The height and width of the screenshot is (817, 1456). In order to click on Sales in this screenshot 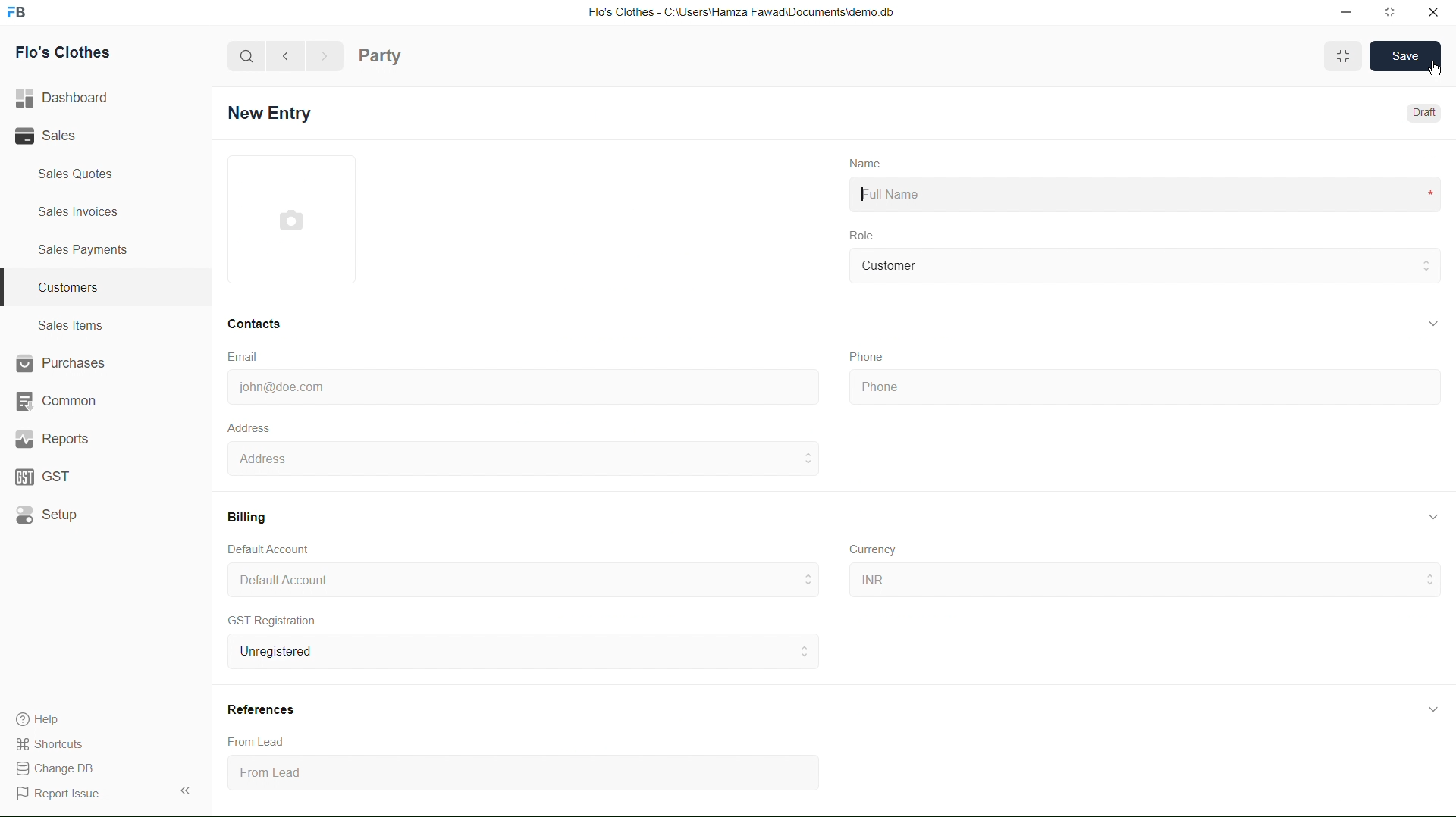, I will do `click(53, 137)`.